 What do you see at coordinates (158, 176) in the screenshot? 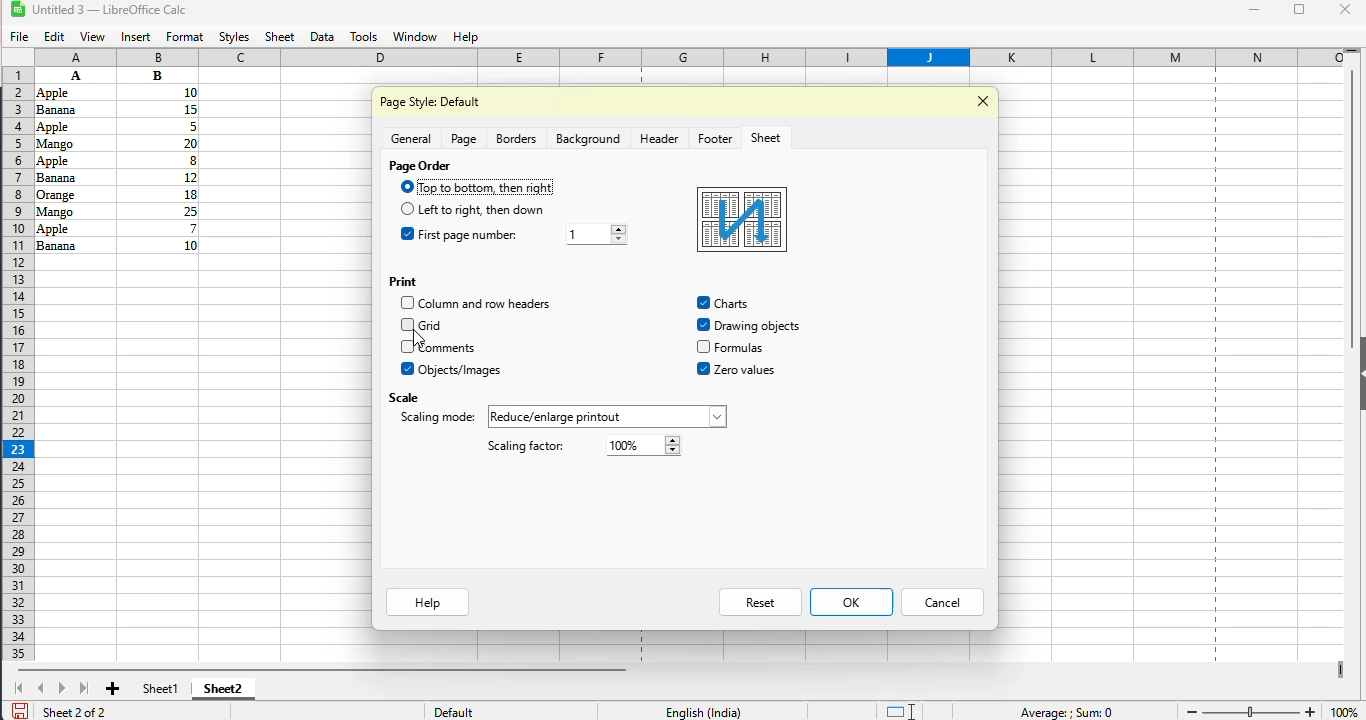
I see `` at bounding box center [158, 176].